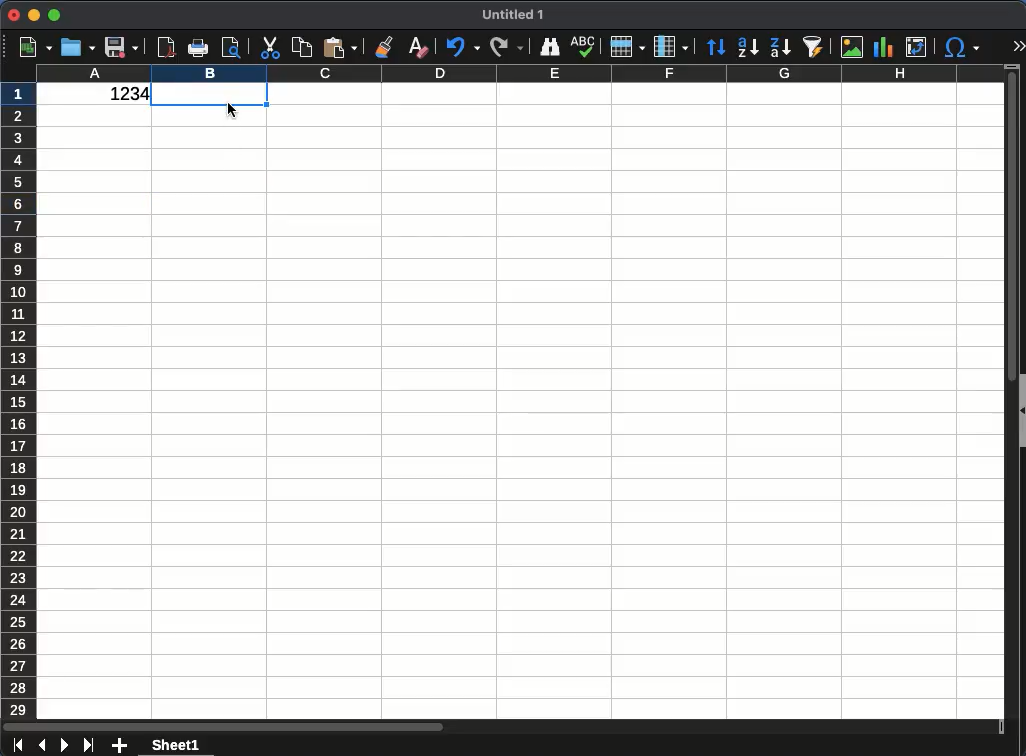 The width and height of the screenshot is (1026, 756). What do you see at coordinates (918, 47) in the screenshot?
I see `pivot table` at bounding box center [918, 47].